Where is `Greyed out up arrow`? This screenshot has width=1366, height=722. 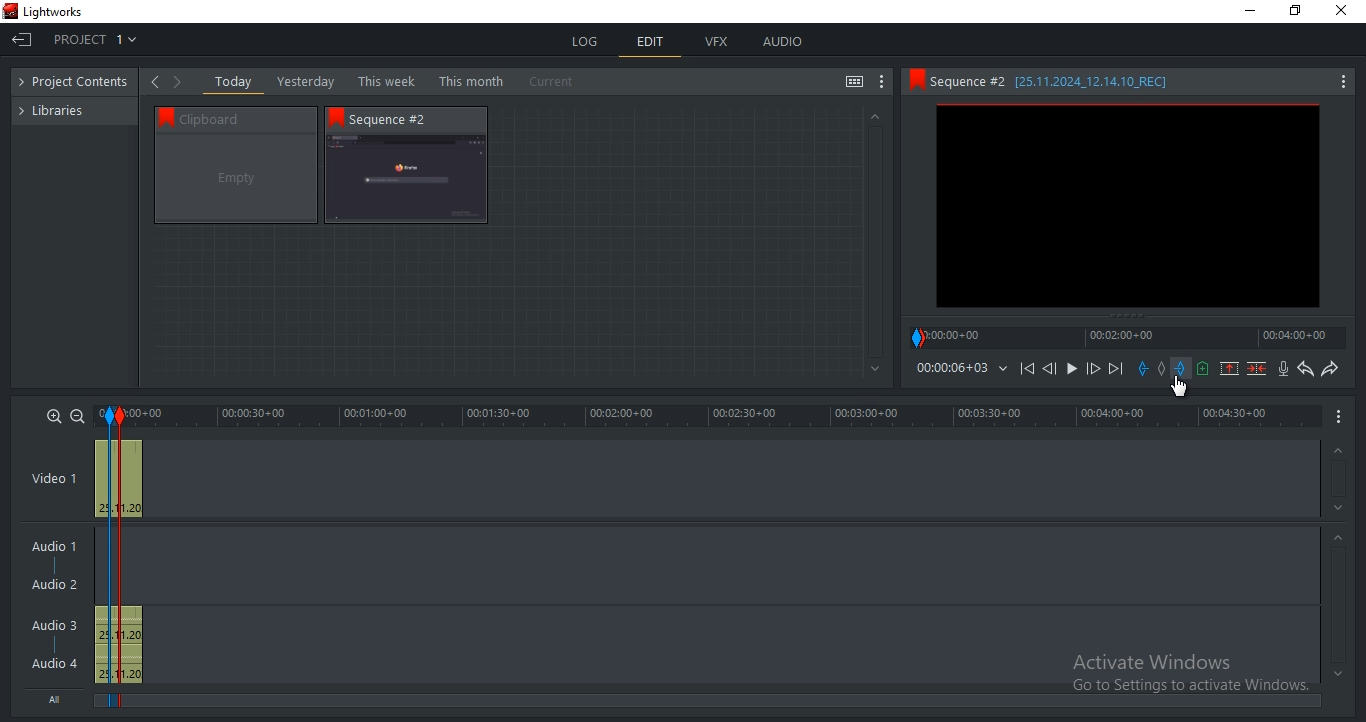
Greyed out up arrow is located at coordinates (1336, 452).